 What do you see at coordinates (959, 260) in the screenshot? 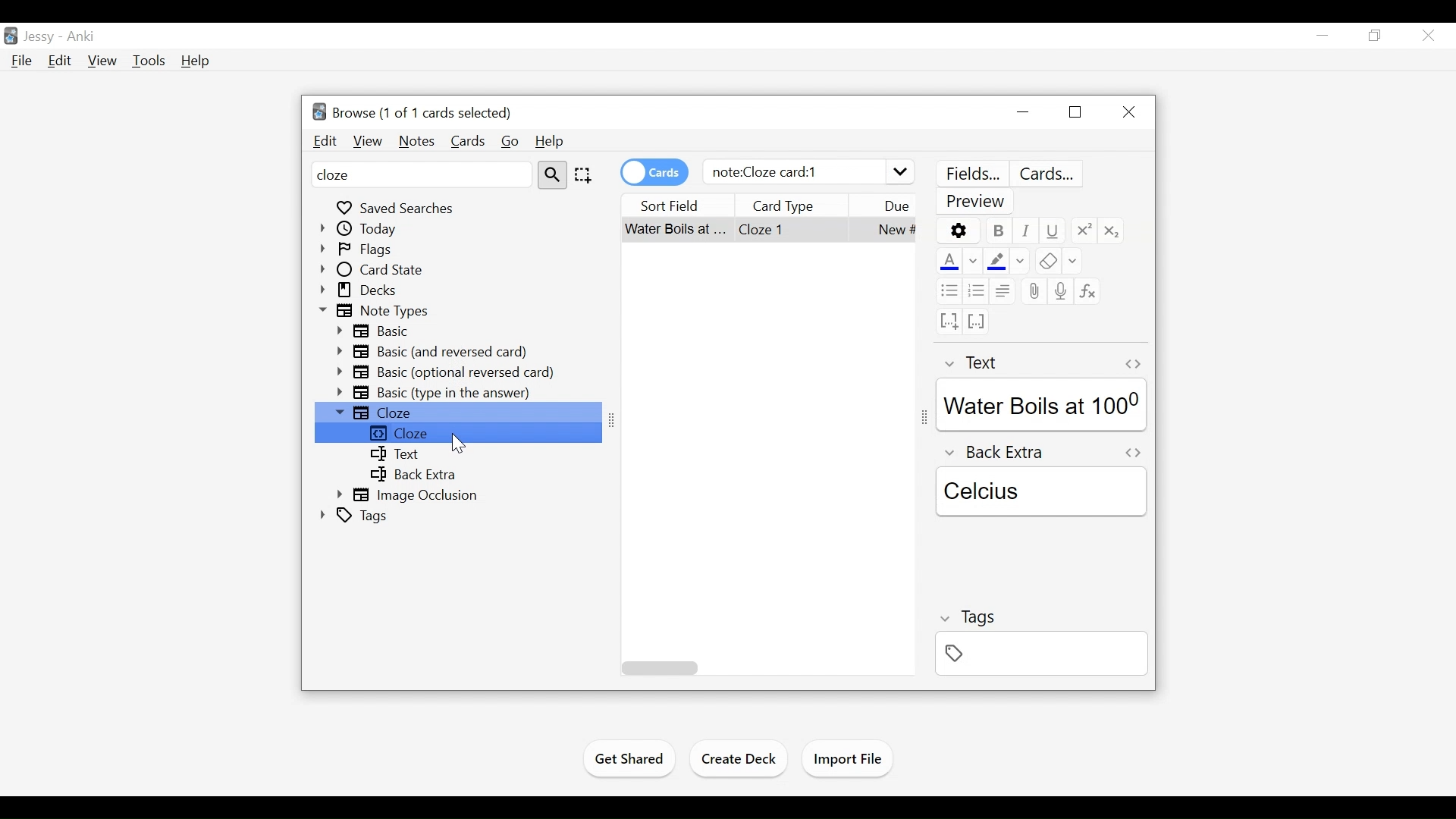
I see `Text Color` at bounding box center [959, 260].